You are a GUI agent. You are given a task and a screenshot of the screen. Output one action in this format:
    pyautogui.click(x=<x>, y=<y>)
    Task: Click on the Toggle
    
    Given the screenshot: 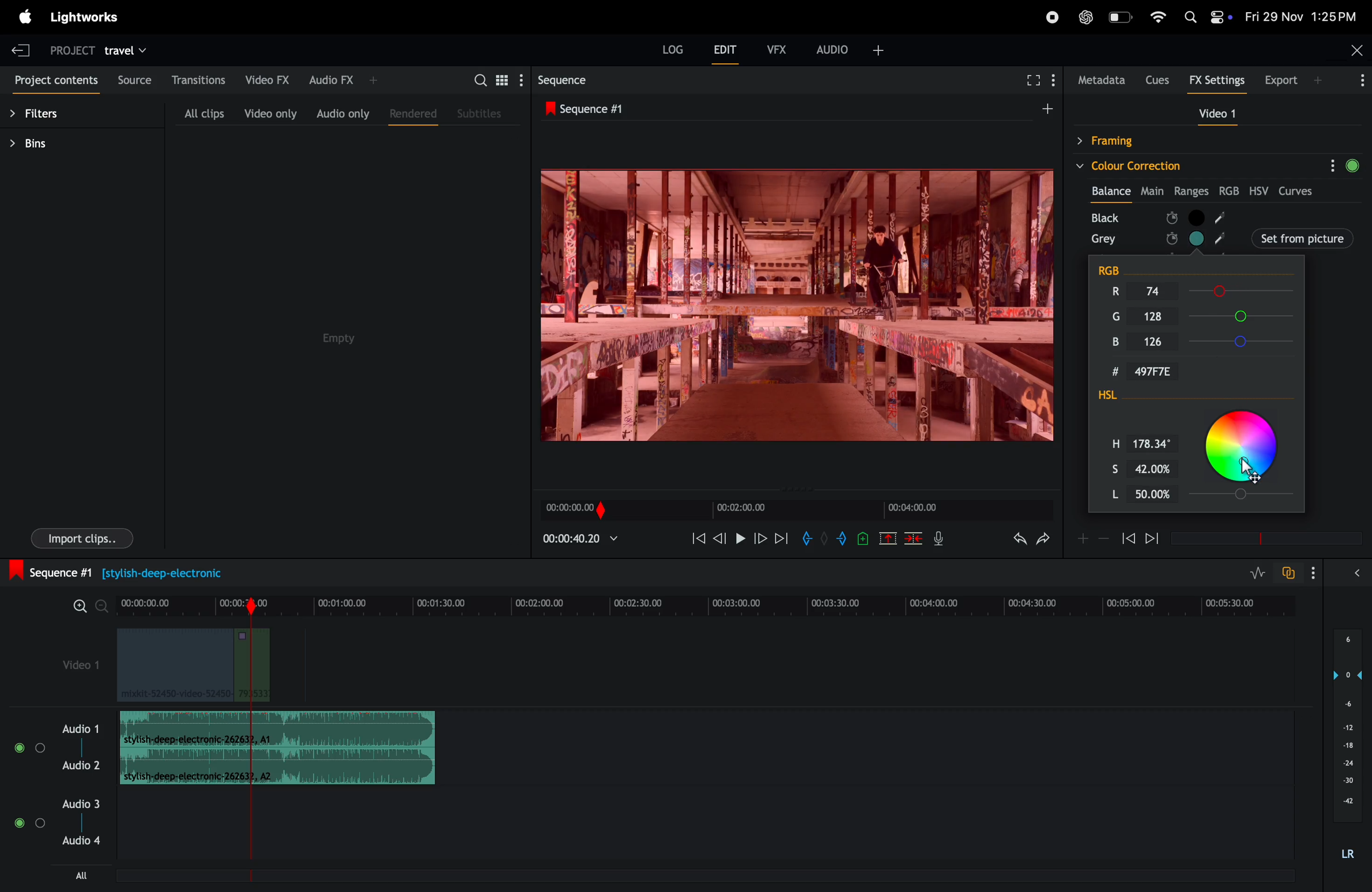 What is the action you would take?
    pyautogui.click(x=41, y=824)
    